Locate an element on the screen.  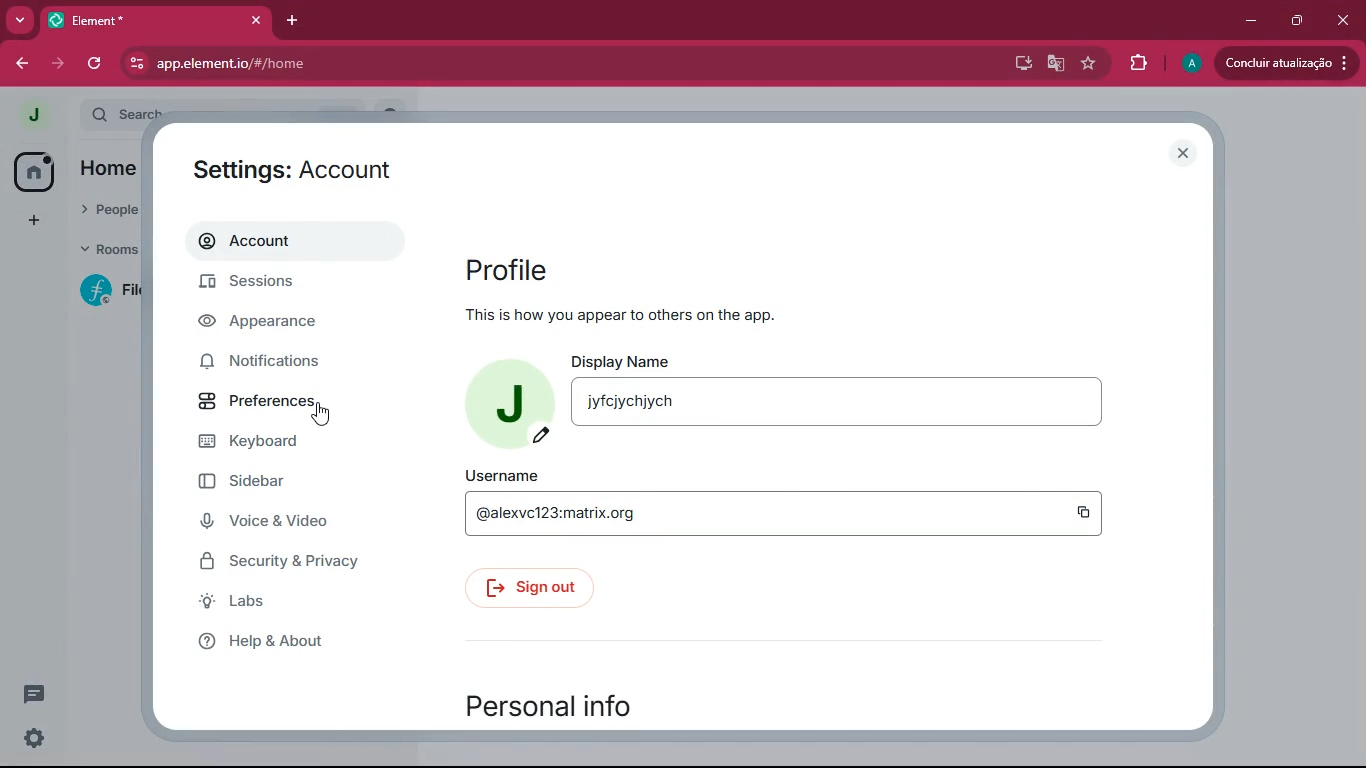
back is located at coordinates (23, 61).